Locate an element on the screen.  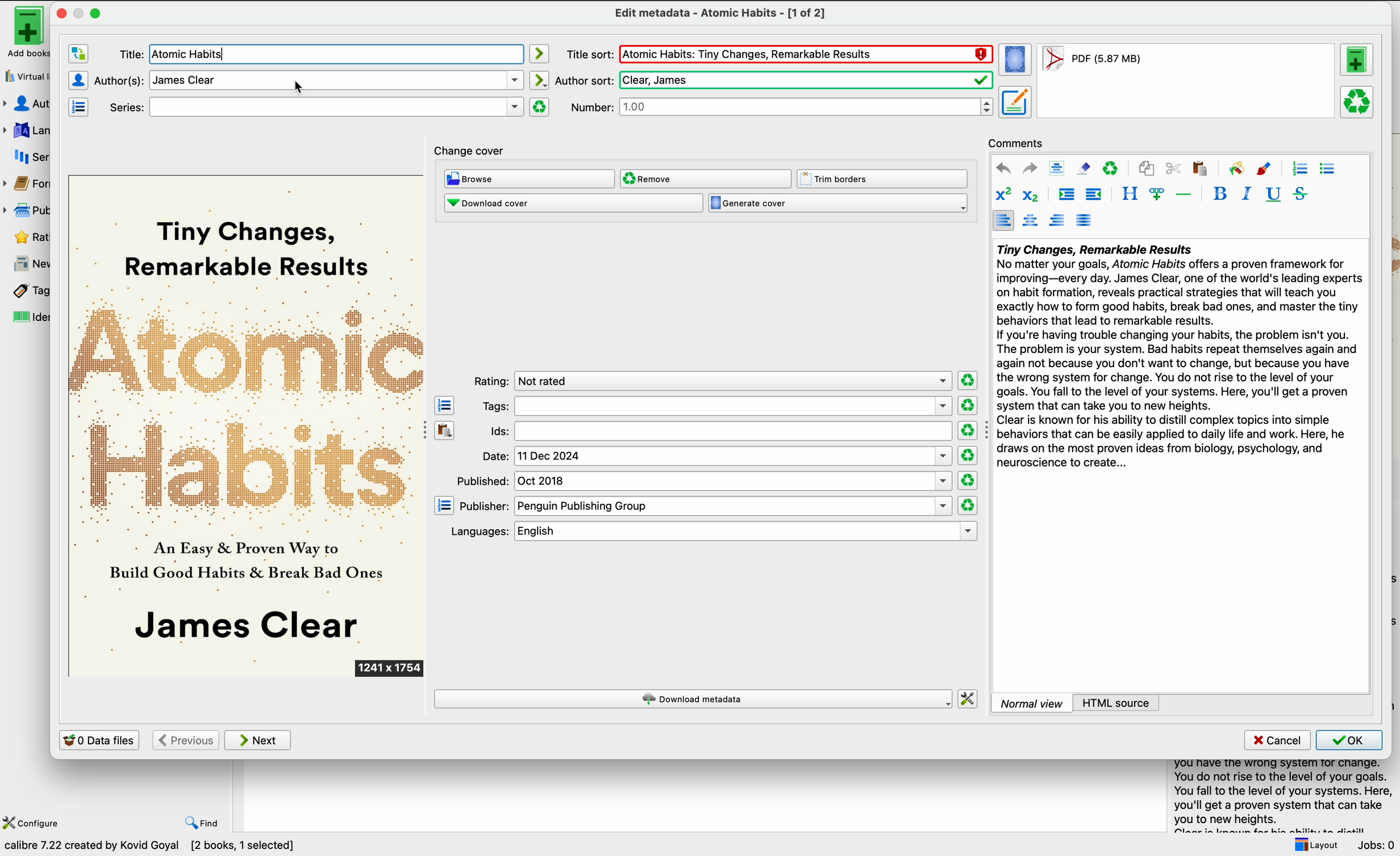
close is located at coordinates (60, 13).